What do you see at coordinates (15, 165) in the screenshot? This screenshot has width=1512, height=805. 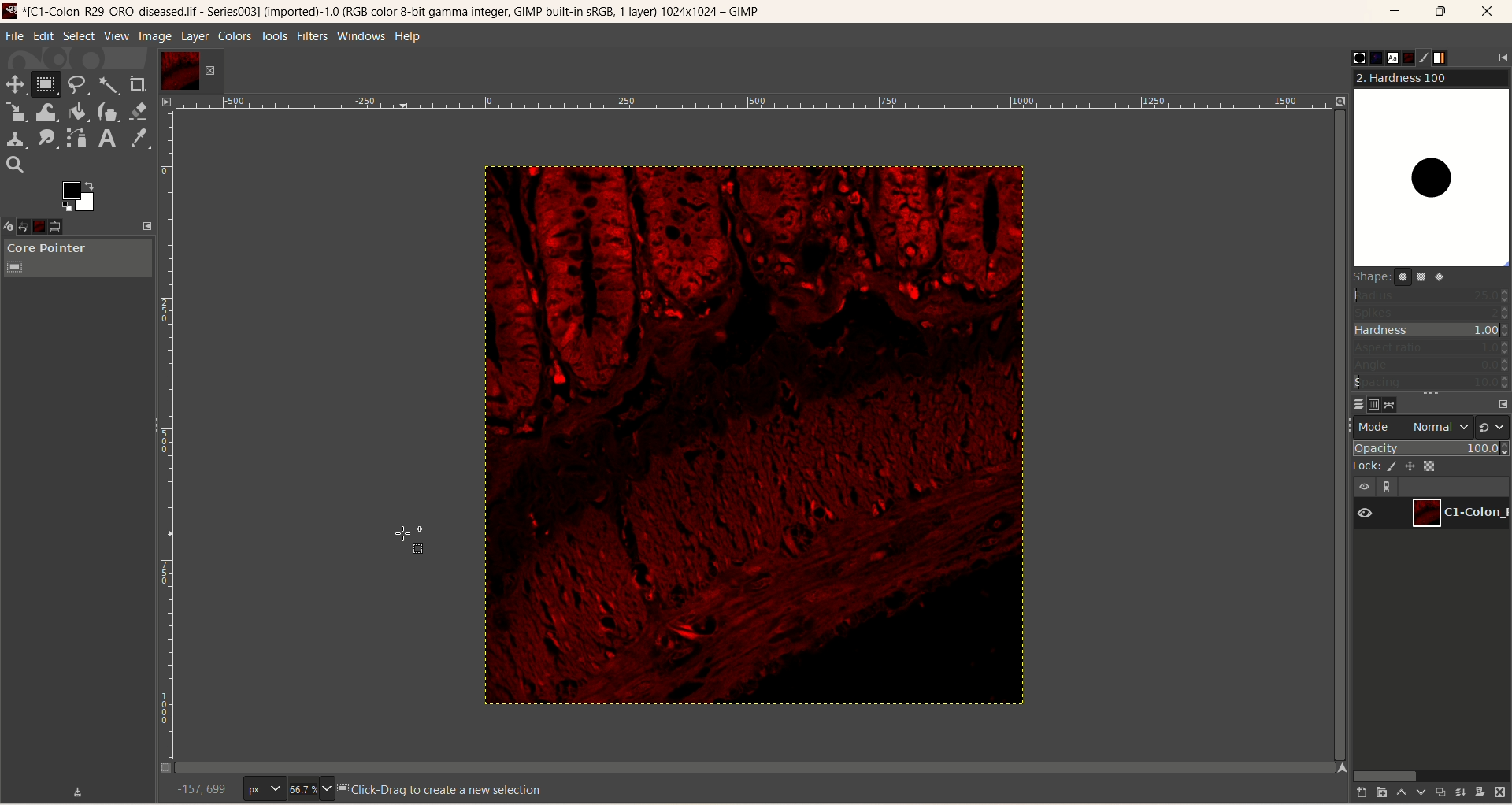 I see `search` at bounding box center [15, 165].